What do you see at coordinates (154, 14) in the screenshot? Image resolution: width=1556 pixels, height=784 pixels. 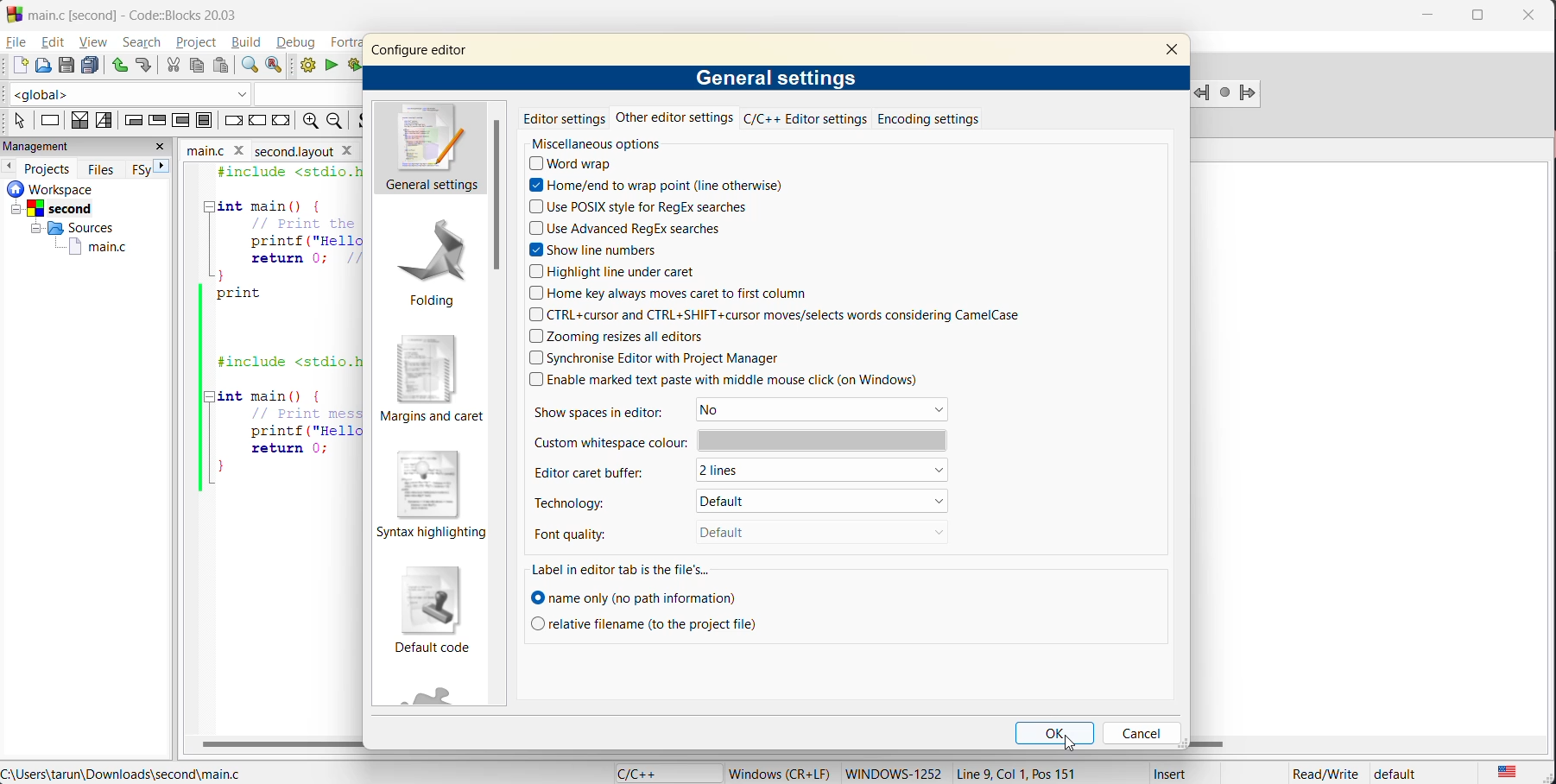 I see `app name and file name` at bounding box center [154, 14].